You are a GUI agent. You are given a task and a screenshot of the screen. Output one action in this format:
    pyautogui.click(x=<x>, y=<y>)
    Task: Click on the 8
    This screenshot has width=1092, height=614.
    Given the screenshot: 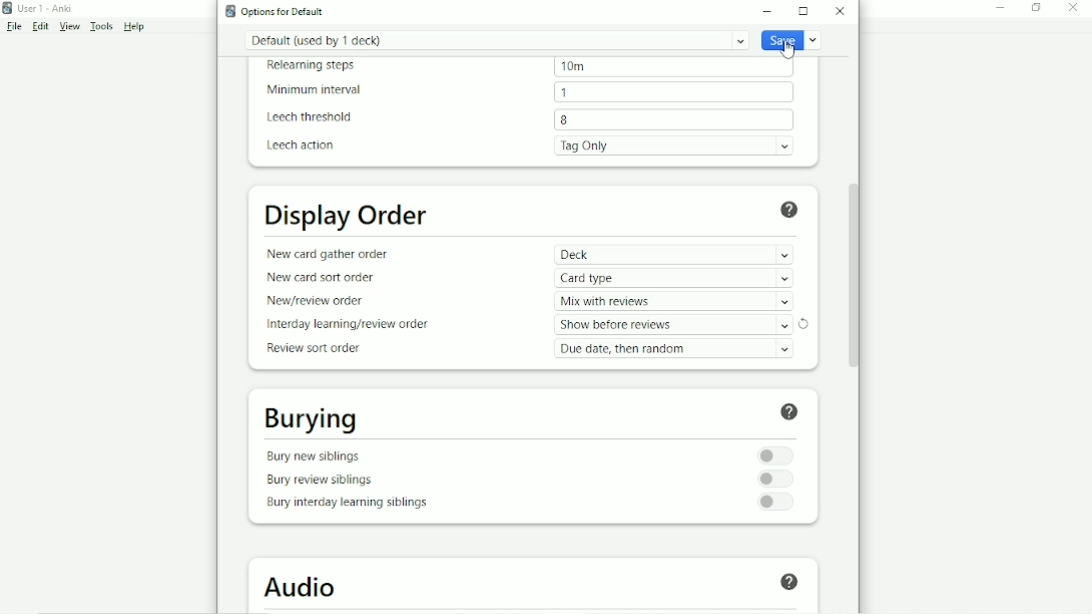 What is the action you would take?
    pyautogui.click(x=674, y=119)
    